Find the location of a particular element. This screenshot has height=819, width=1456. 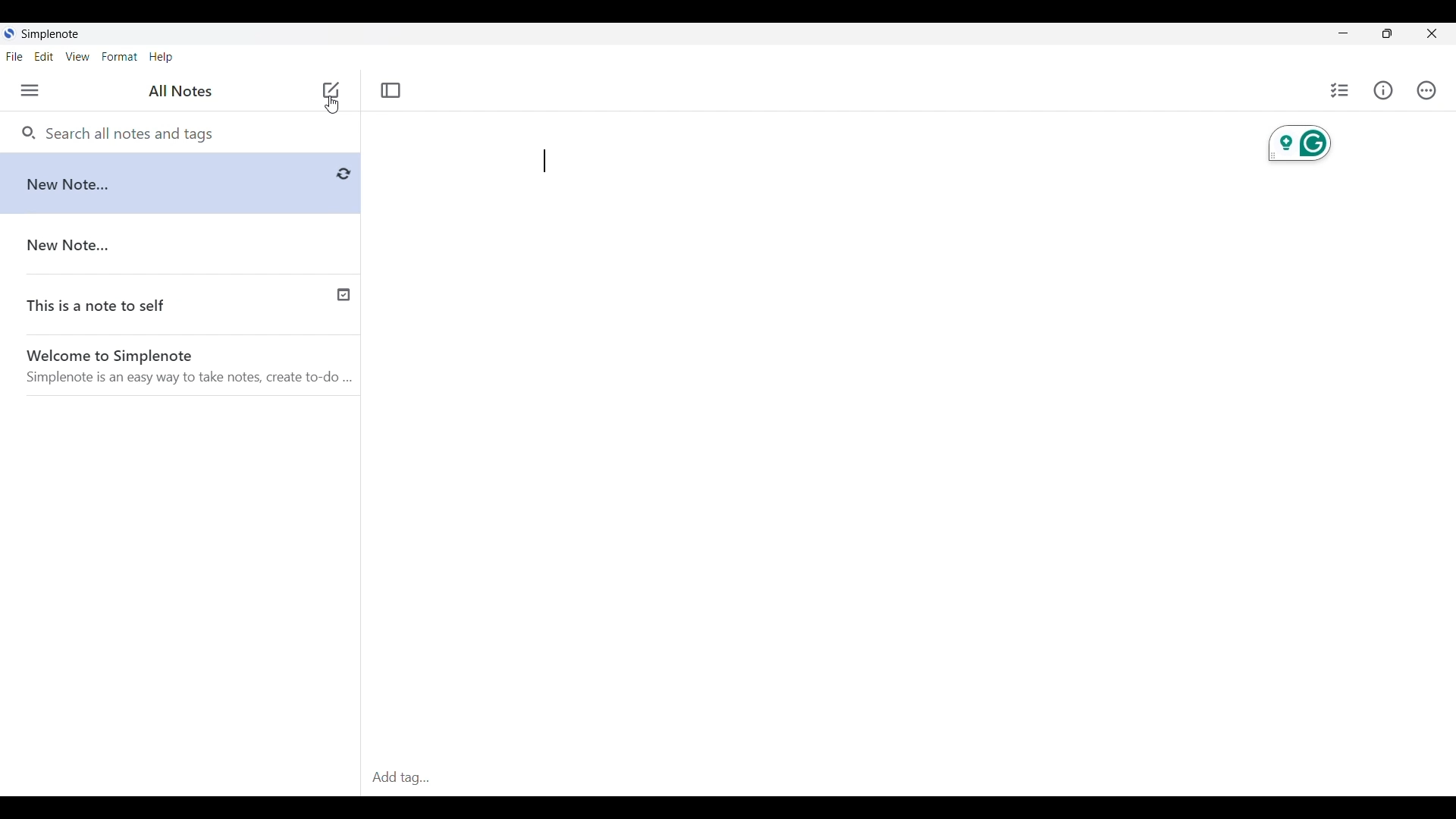

Format menu is located at coordinates (119, 56).